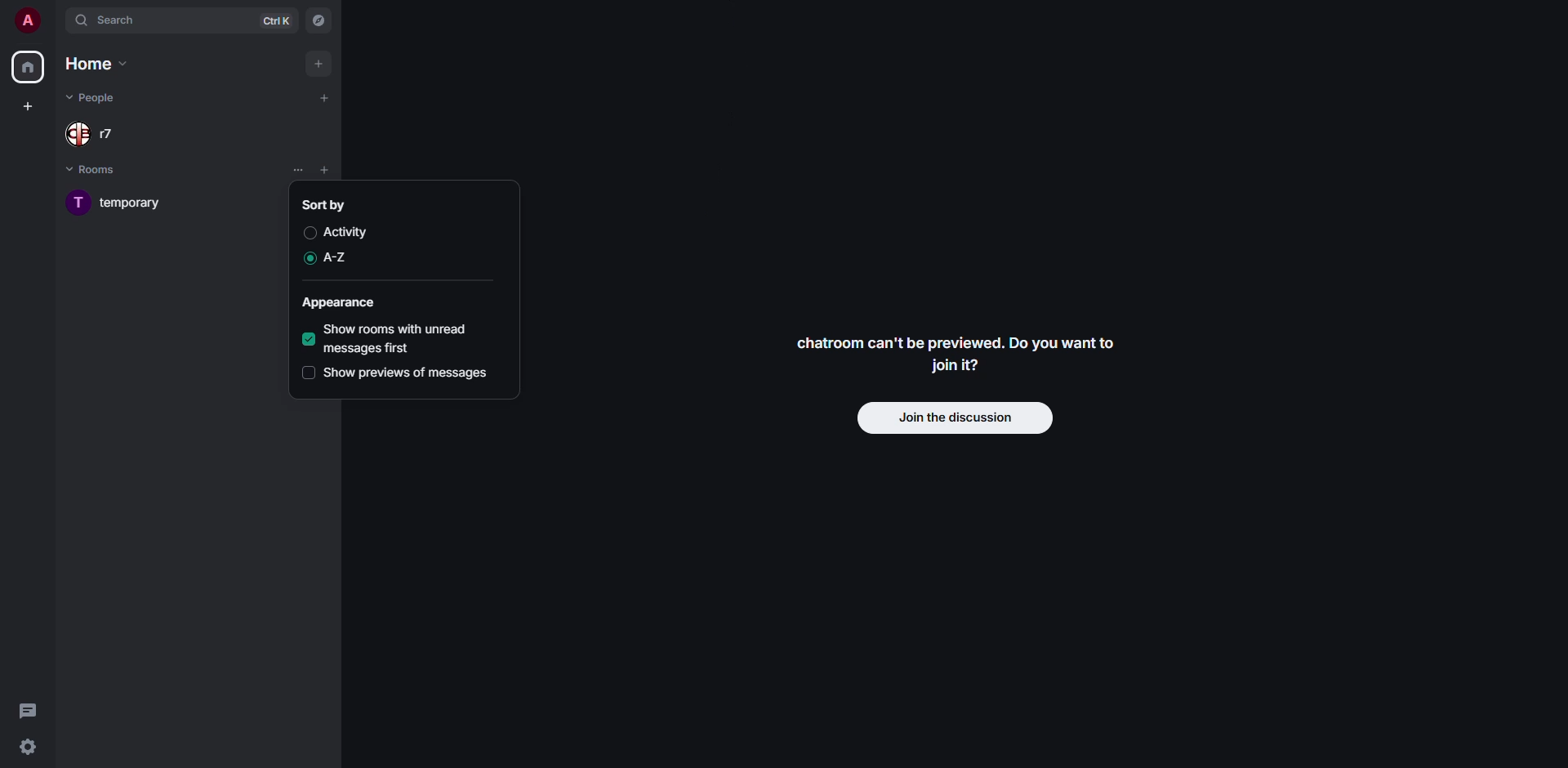 The image size is (1568, 768). What do you see at coordinates (955, 417) in the screenshot?
I see `join discussion` at bounding box center [955, 417].